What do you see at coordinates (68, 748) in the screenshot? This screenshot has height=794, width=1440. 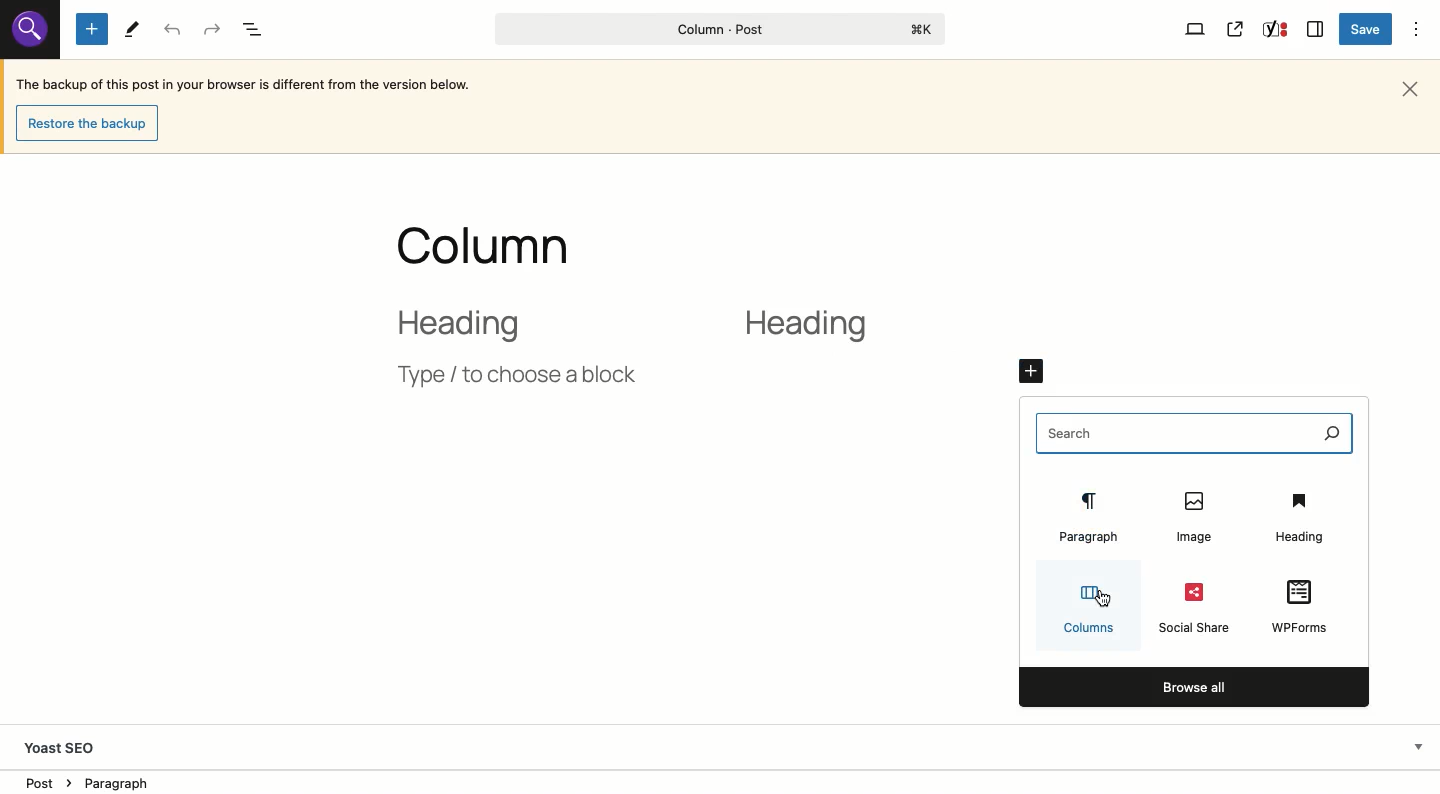 I see `Yoast SEO` at bounding box center [68, 748].